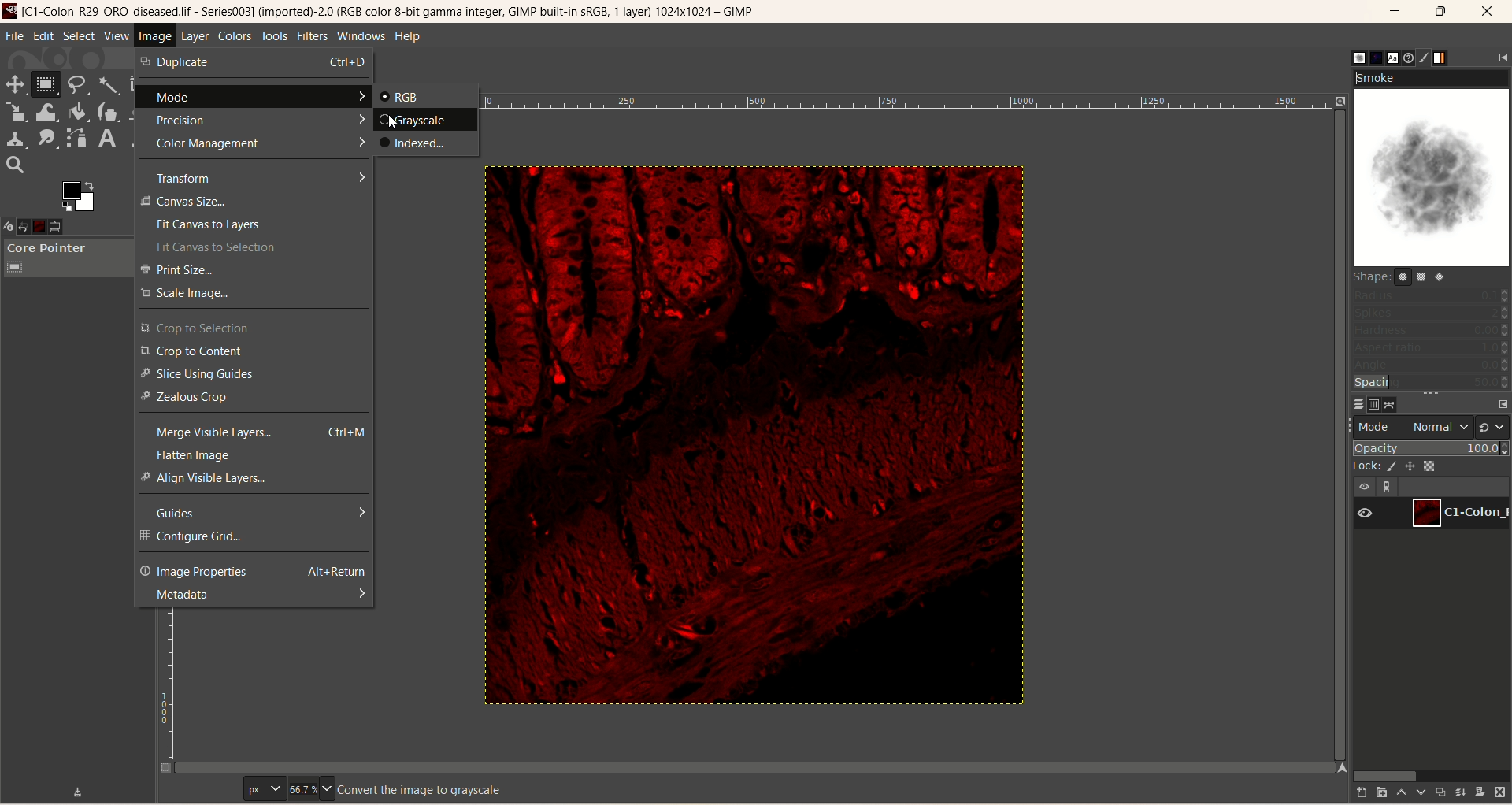 The height and width of the screenshot is (805, 1512). What do you see at coordinates (256, 226) in the screenshot?
I see `fit canvas to layers` at bounding box center [256, 226].